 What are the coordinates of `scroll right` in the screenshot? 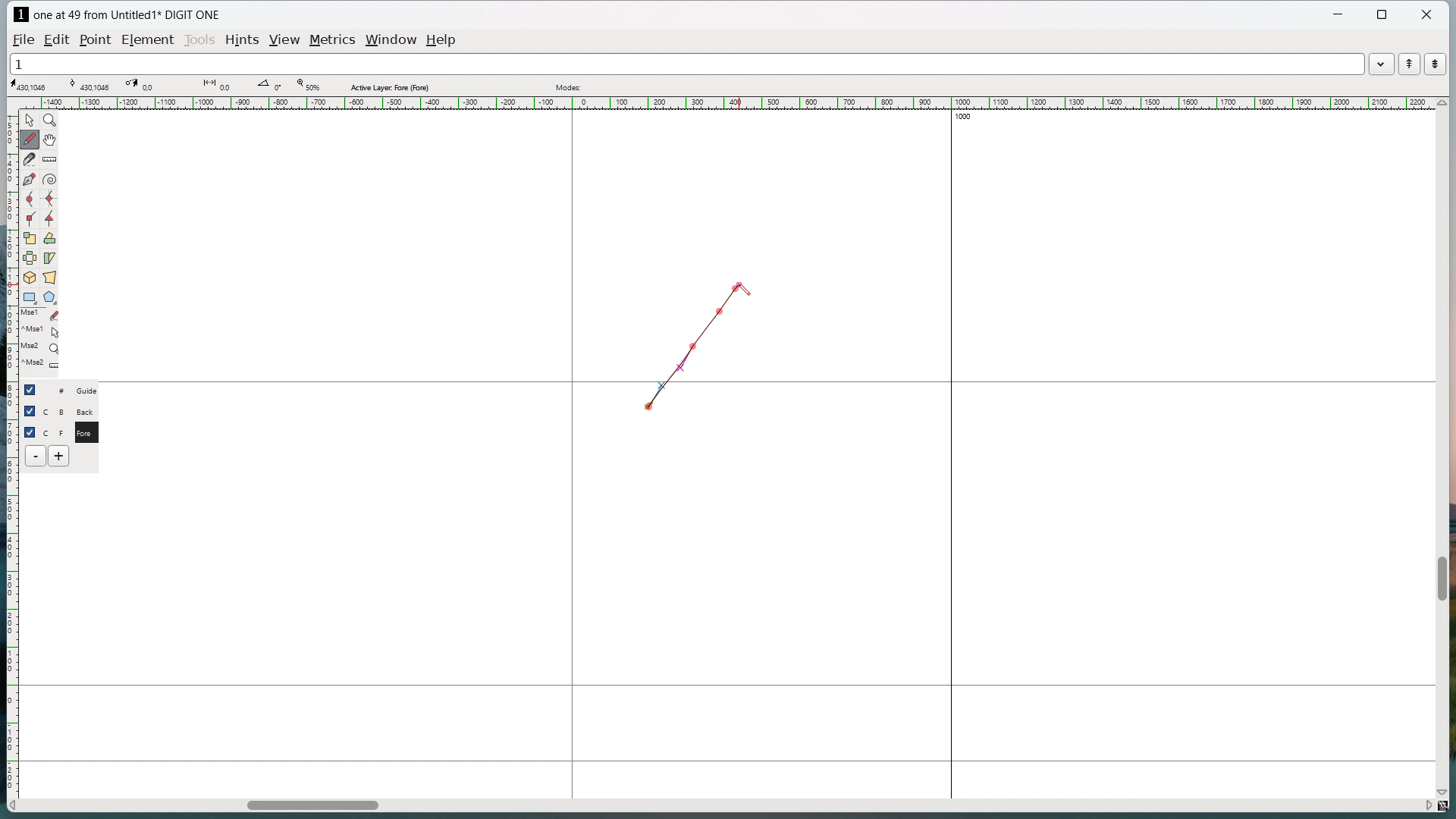 It's located at (1426, 804).